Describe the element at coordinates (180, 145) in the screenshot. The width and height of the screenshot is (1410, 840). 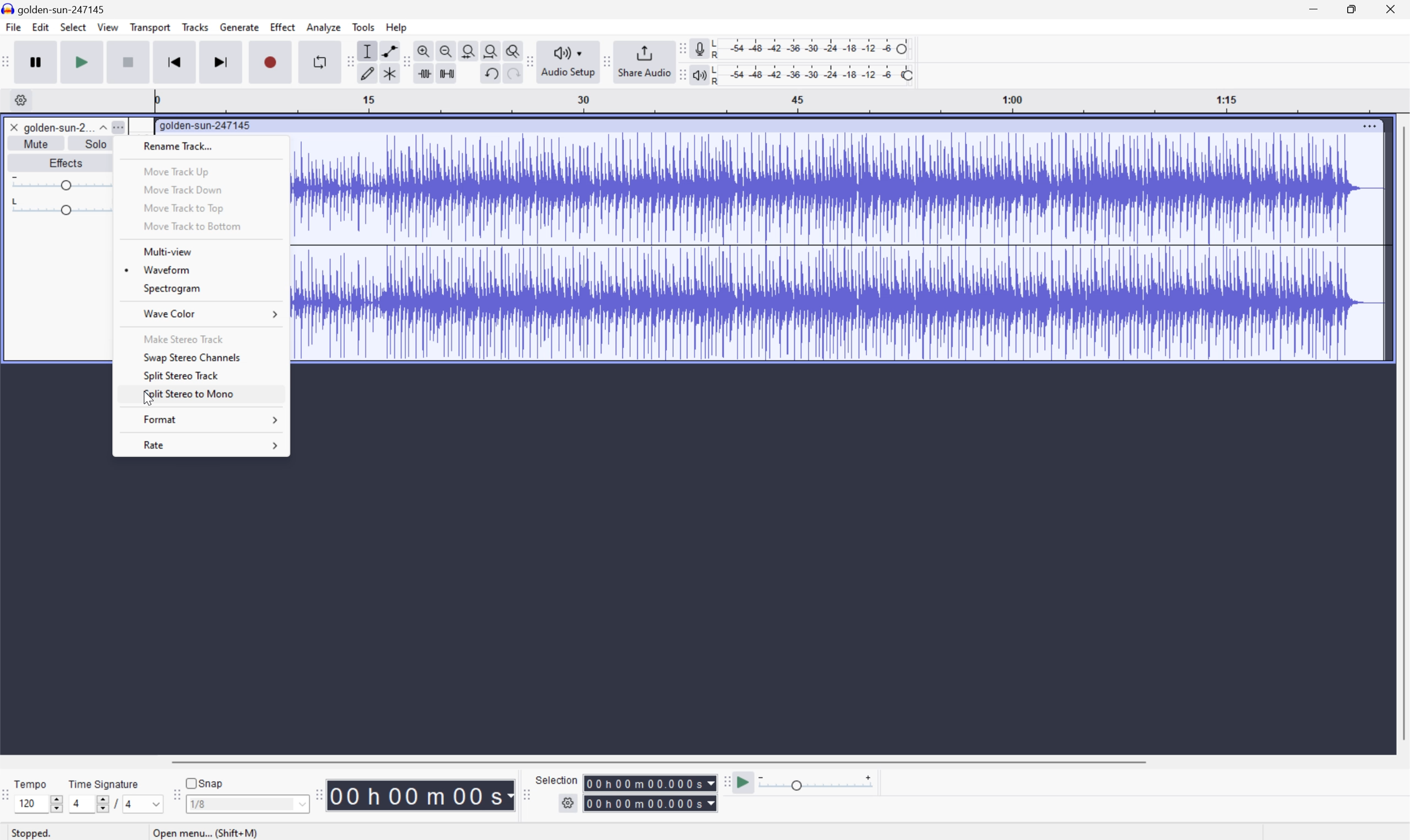
I see `Rename Track` at that location.